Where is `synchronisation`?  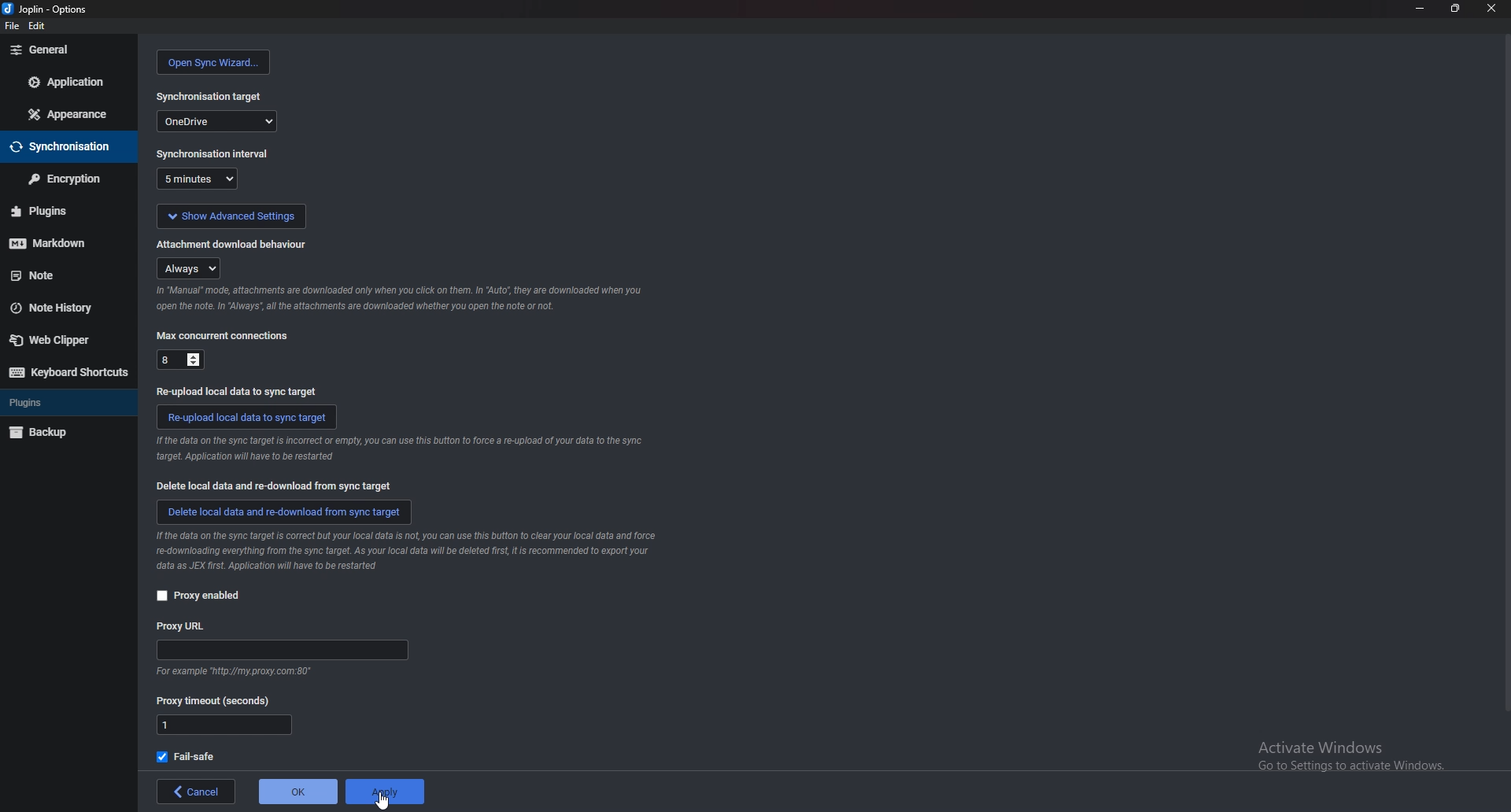 synchronisation is located at coordinates (65, 147).